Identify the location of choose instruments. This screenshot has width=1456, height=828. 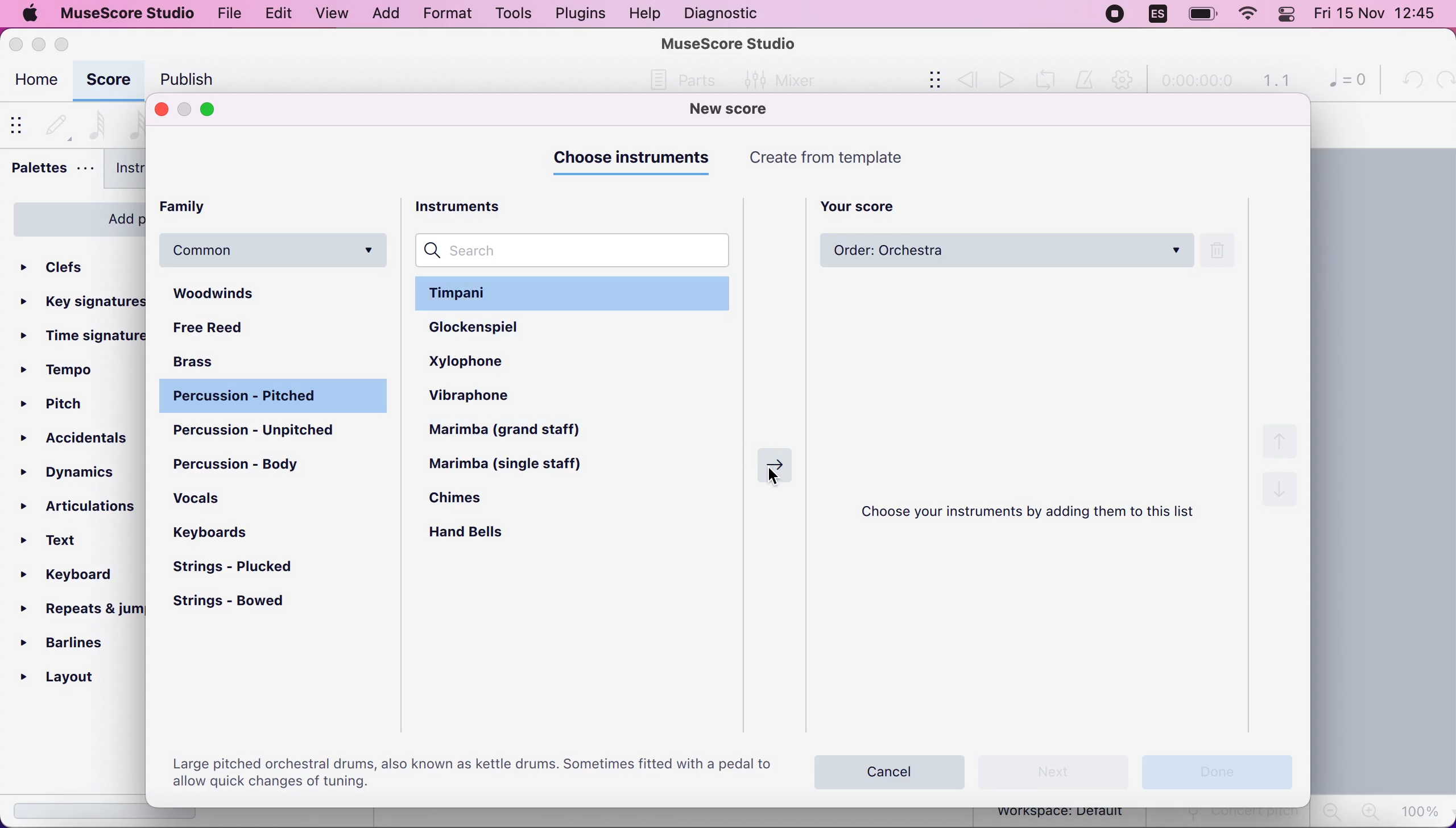
(635, 159).